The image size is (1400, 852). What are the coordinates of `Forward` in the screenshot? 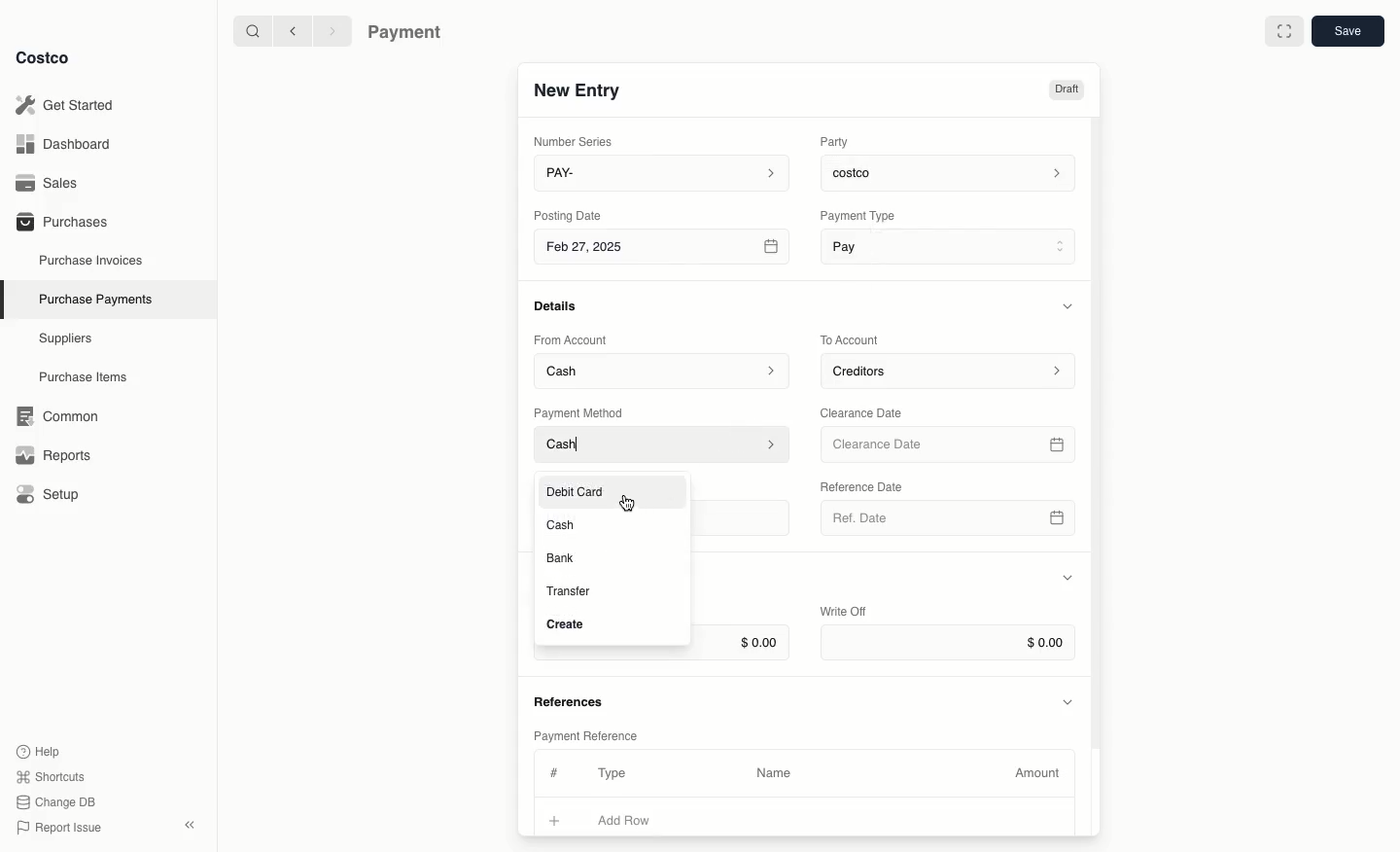 It's located at (331, 30).